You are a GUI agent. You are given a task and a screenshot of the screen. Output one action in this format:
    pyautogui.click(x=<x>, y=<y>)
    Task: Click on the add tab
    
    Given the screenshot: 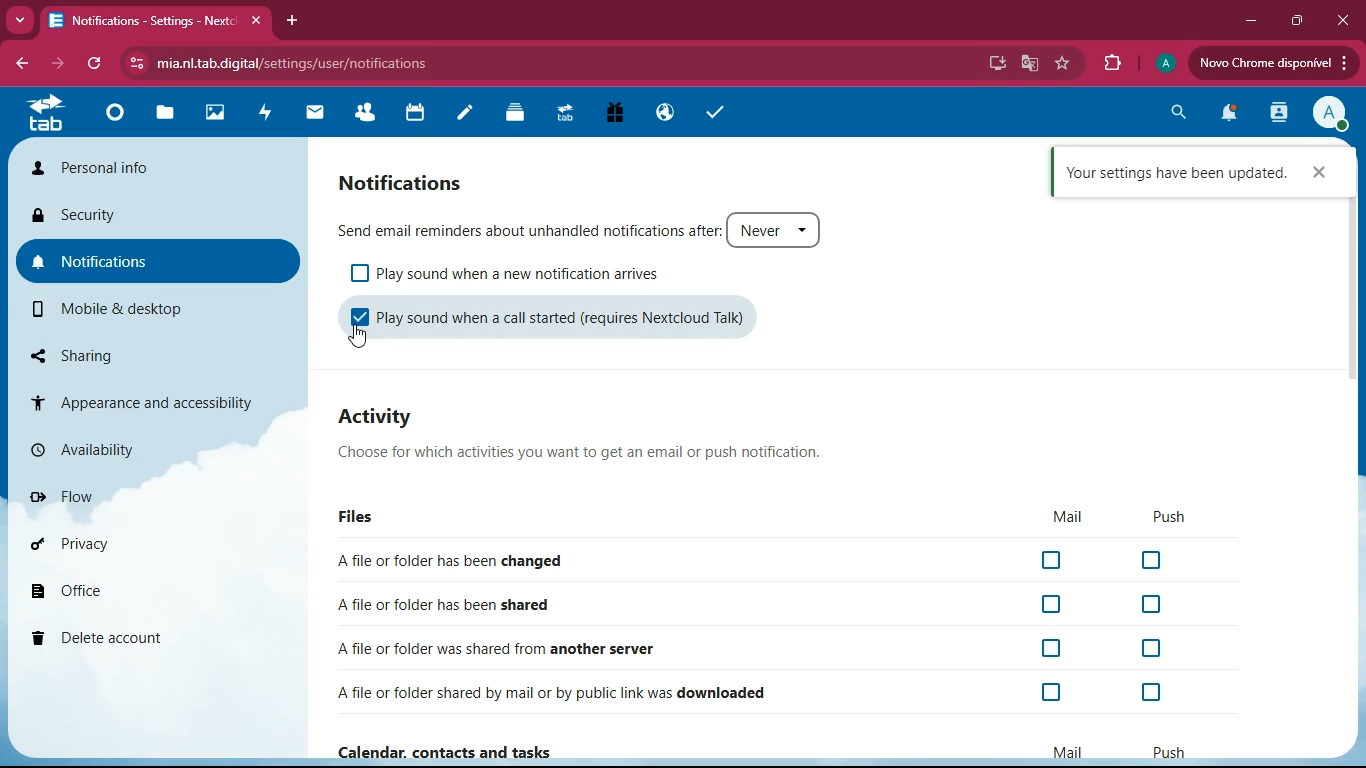 What is the action you would take?
    pyautogui.click(x=292, y=24)
    